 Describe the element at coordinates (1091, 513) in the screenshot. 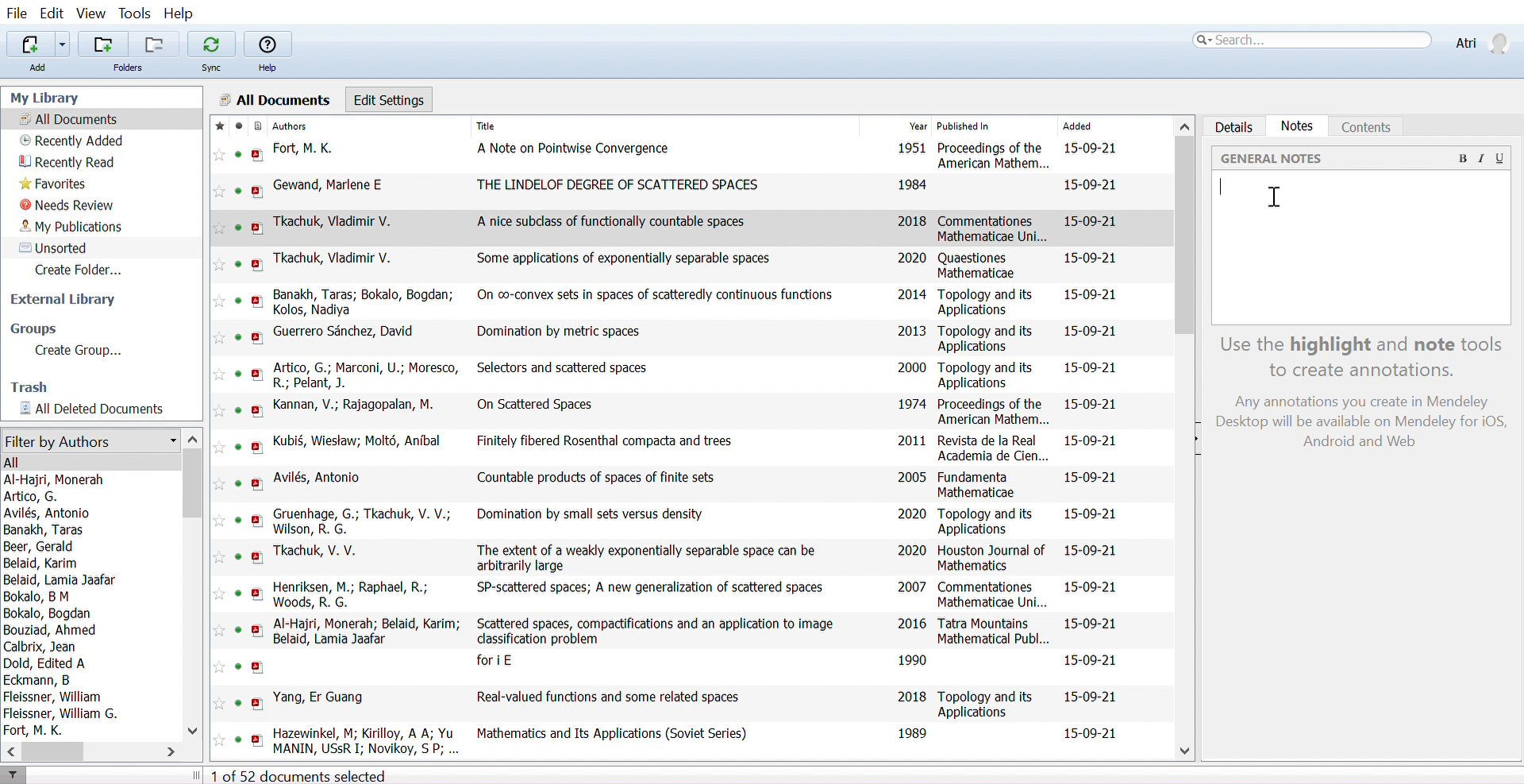

I see `15-09-21` at that location.